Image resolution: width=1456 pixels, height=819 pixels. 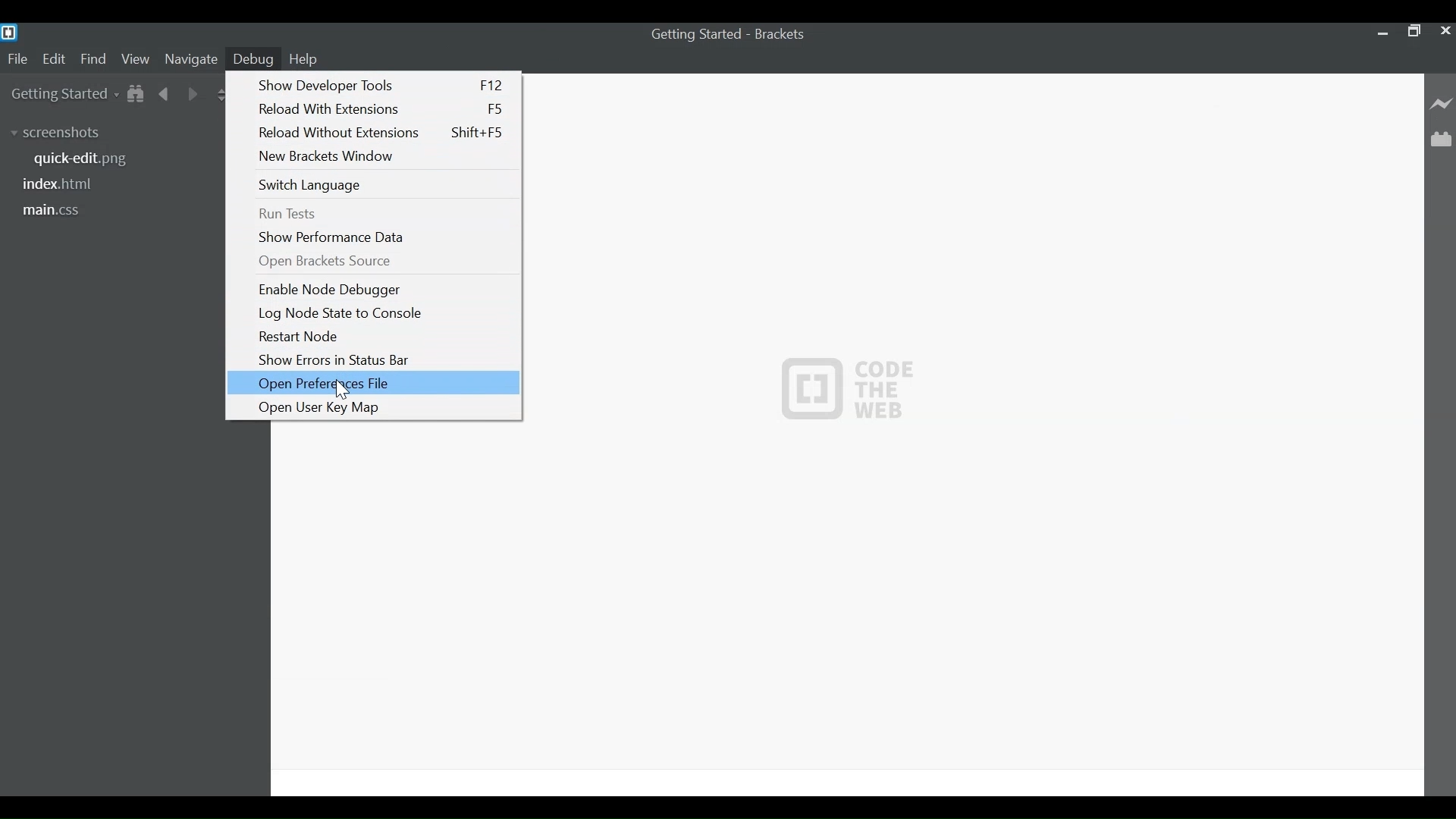 I want to click on minimize, so click(x=1381, y=32).